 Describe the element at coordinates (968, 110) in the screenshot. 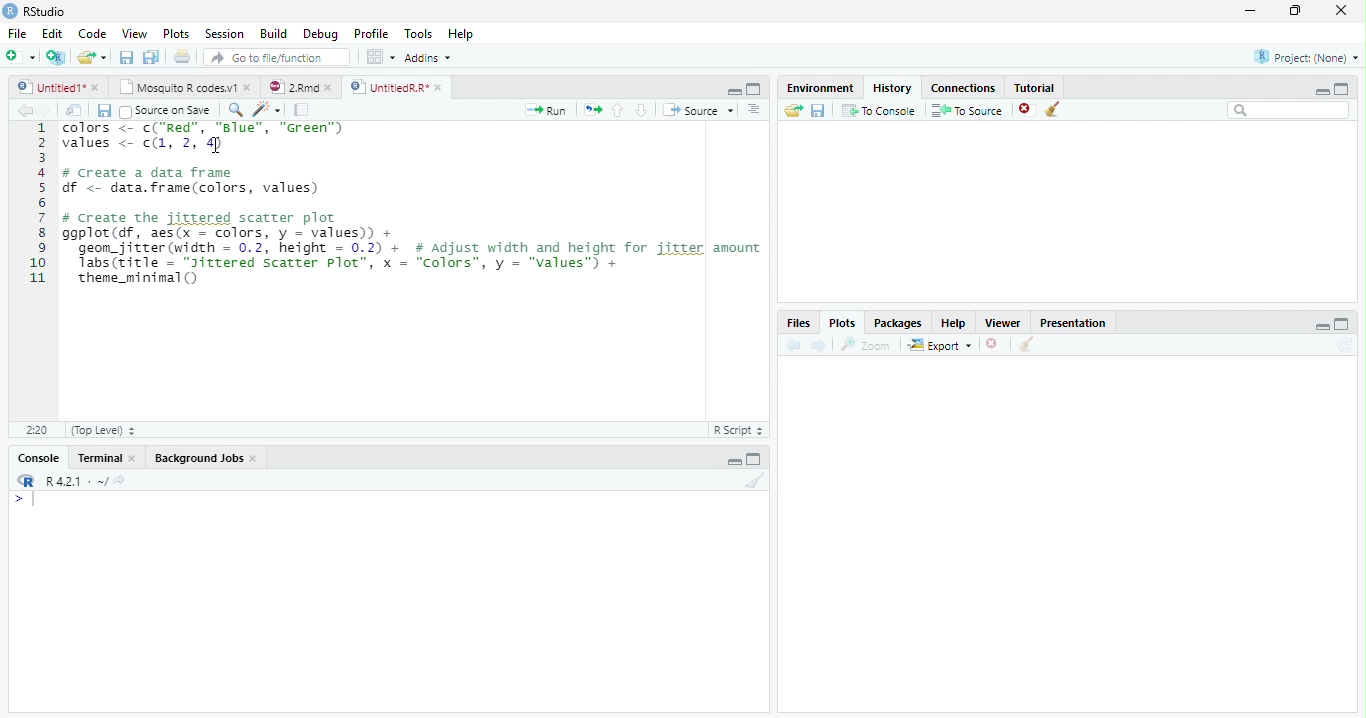

I see `To Source` at that location.